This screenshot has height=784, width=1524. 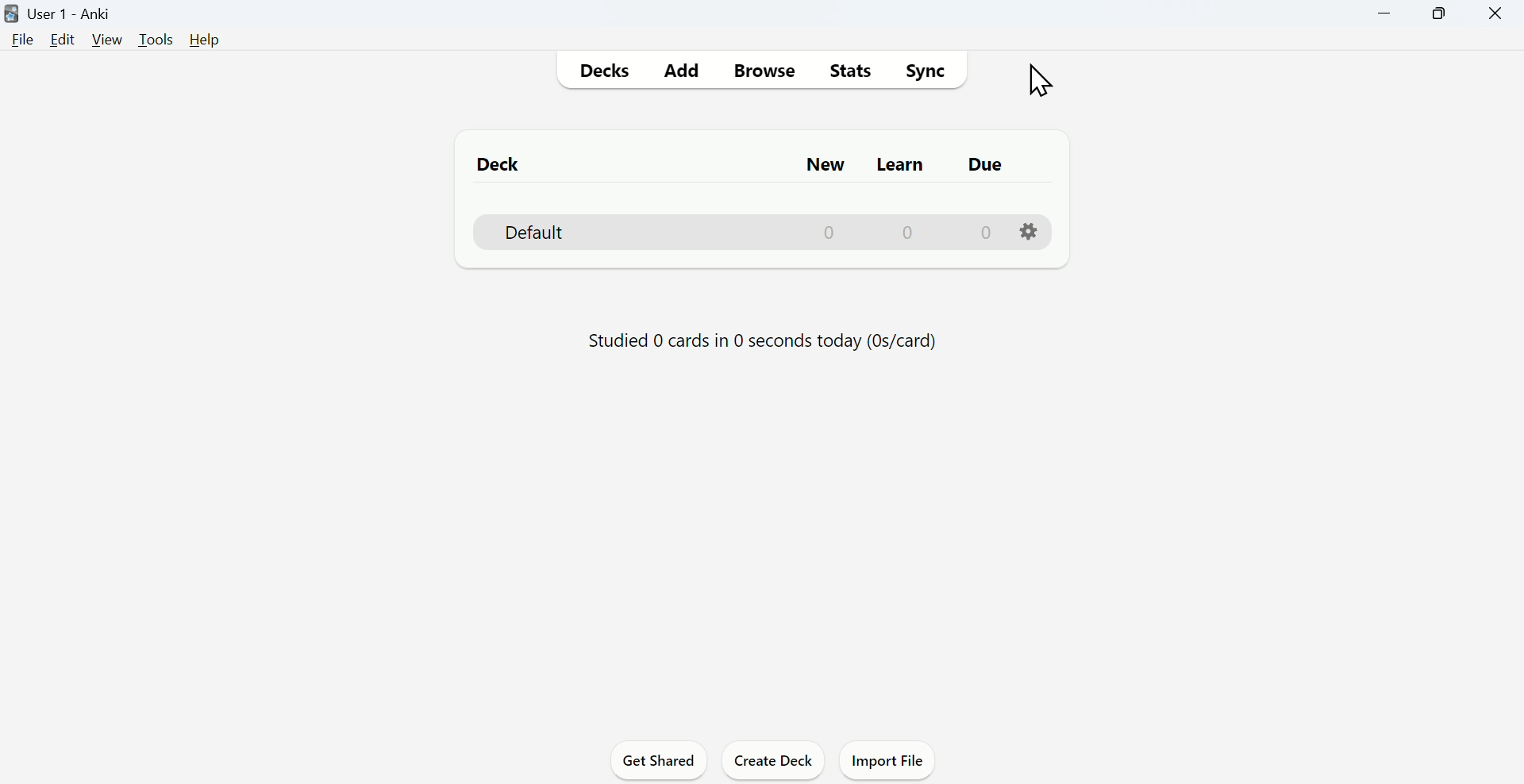 I want to click on File, so click(x=22, y=43).